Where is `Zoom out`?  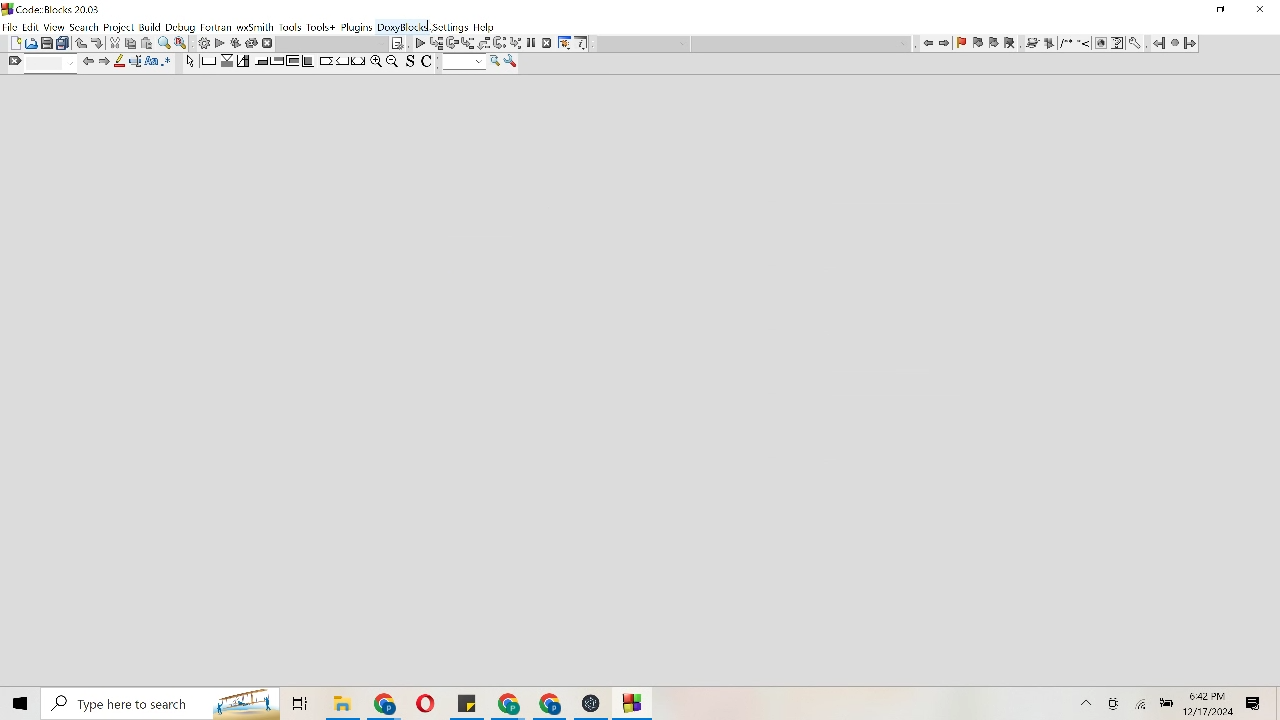
Zoom out is located at coordinates (393, 61).